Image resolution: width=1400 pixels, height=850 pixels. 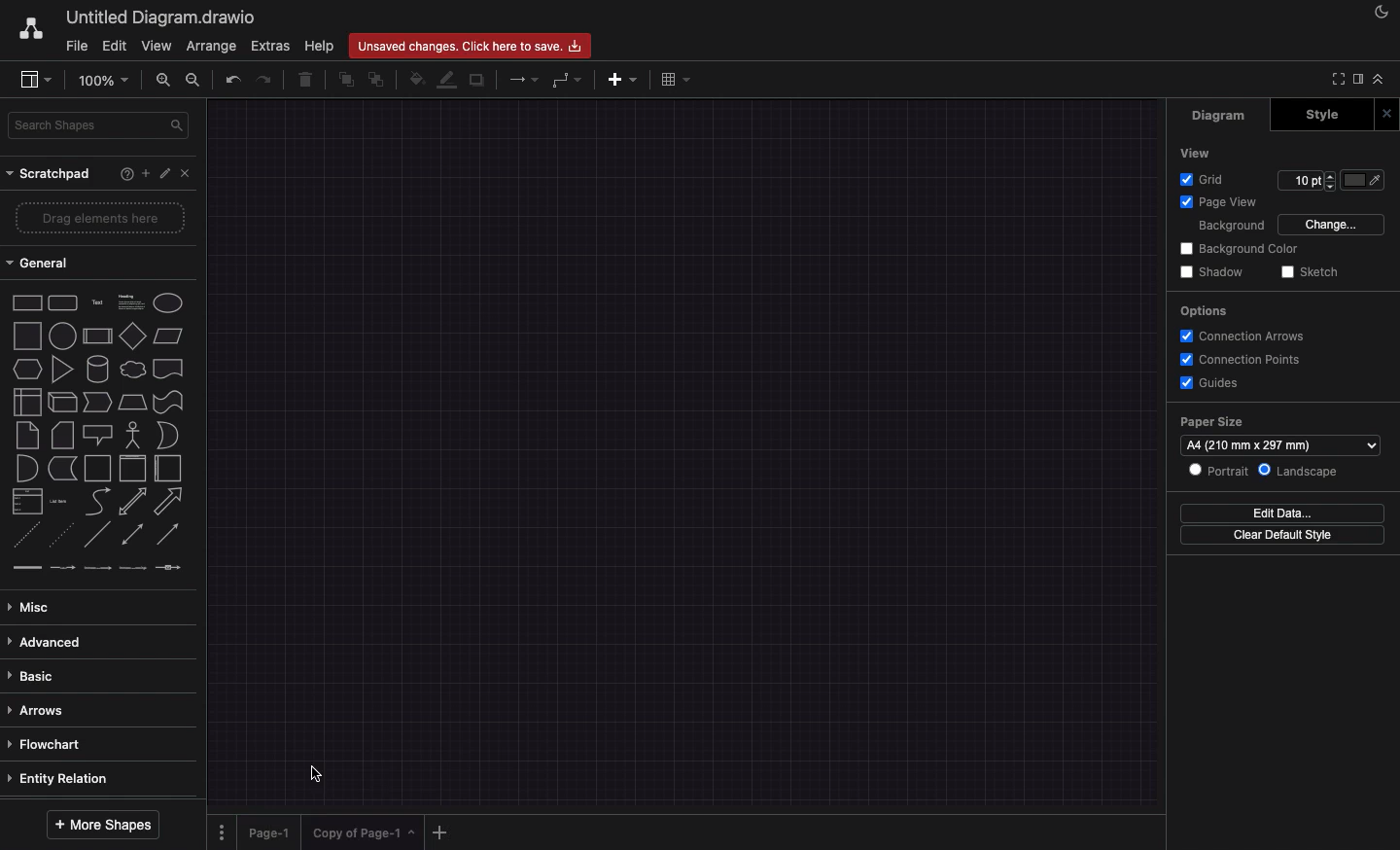 What do you see at coordinates (168, 303) in the screenshot?
I see `ellipse` at bounding box center [168, 303].